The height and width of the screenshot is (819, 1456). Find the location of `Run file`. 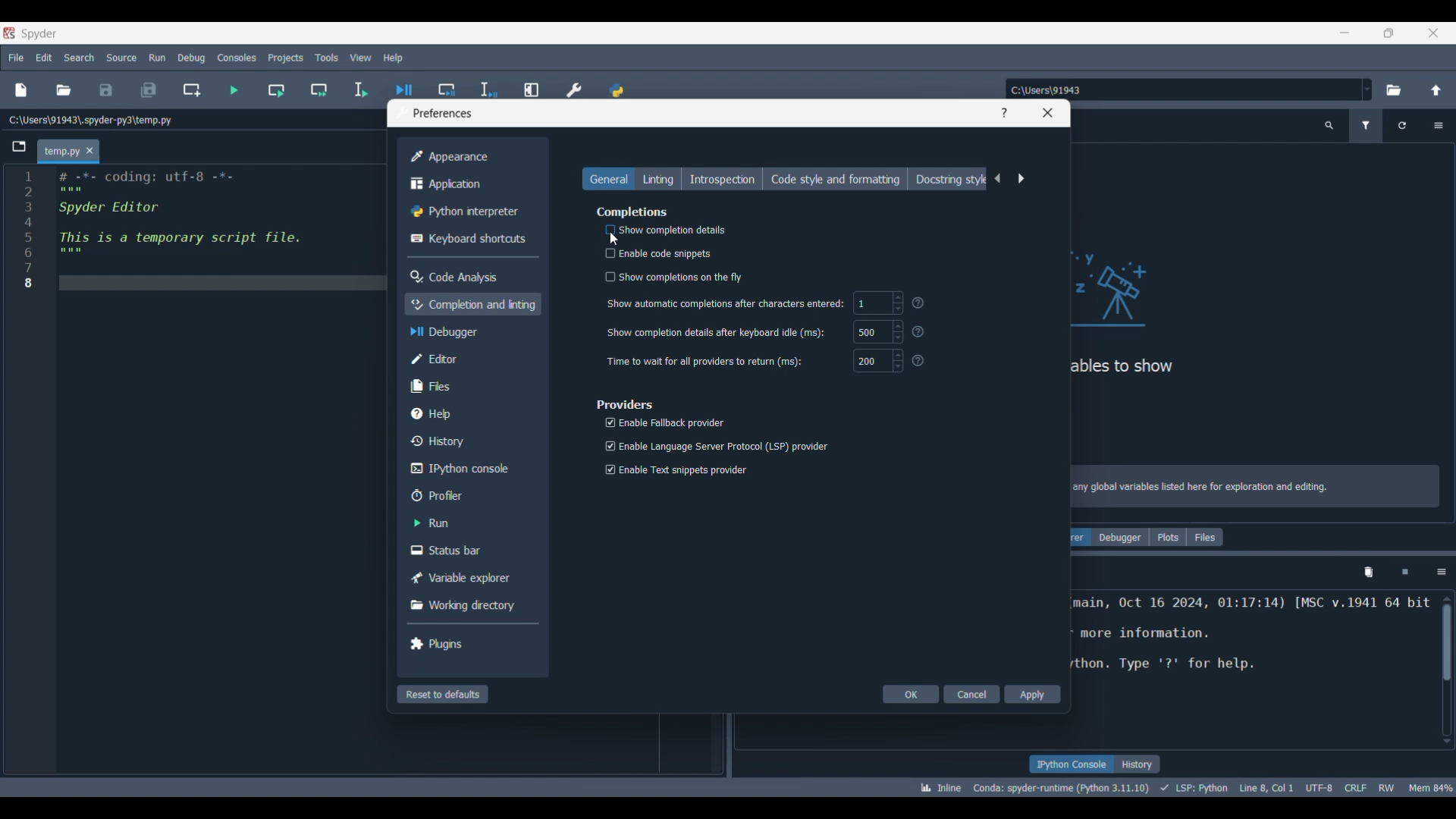

Run file is located at coordinates (234, 90).